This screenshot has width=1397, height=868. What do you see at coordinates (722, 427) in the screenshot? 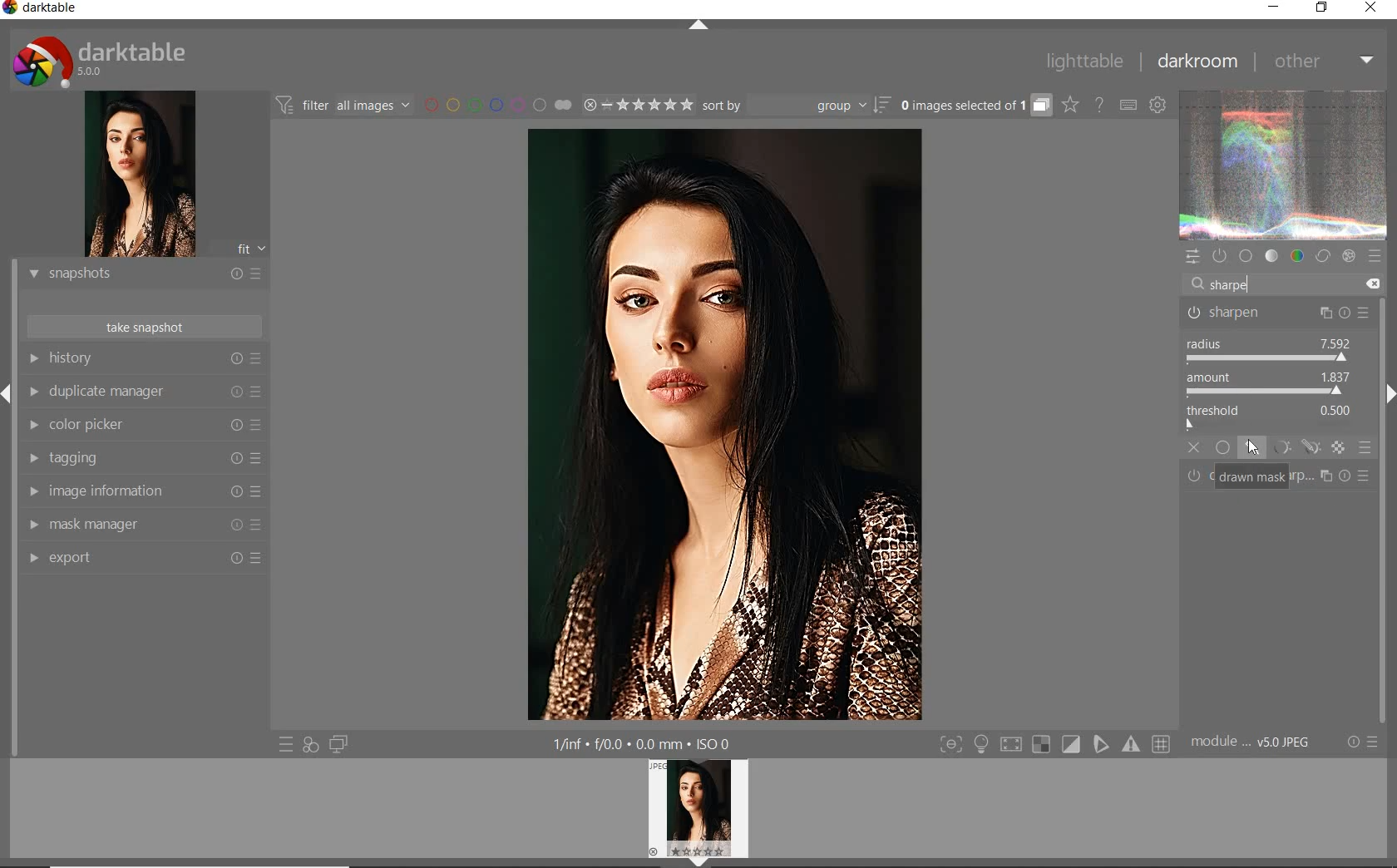
I see `selected image` at bounding box center [722, 427].